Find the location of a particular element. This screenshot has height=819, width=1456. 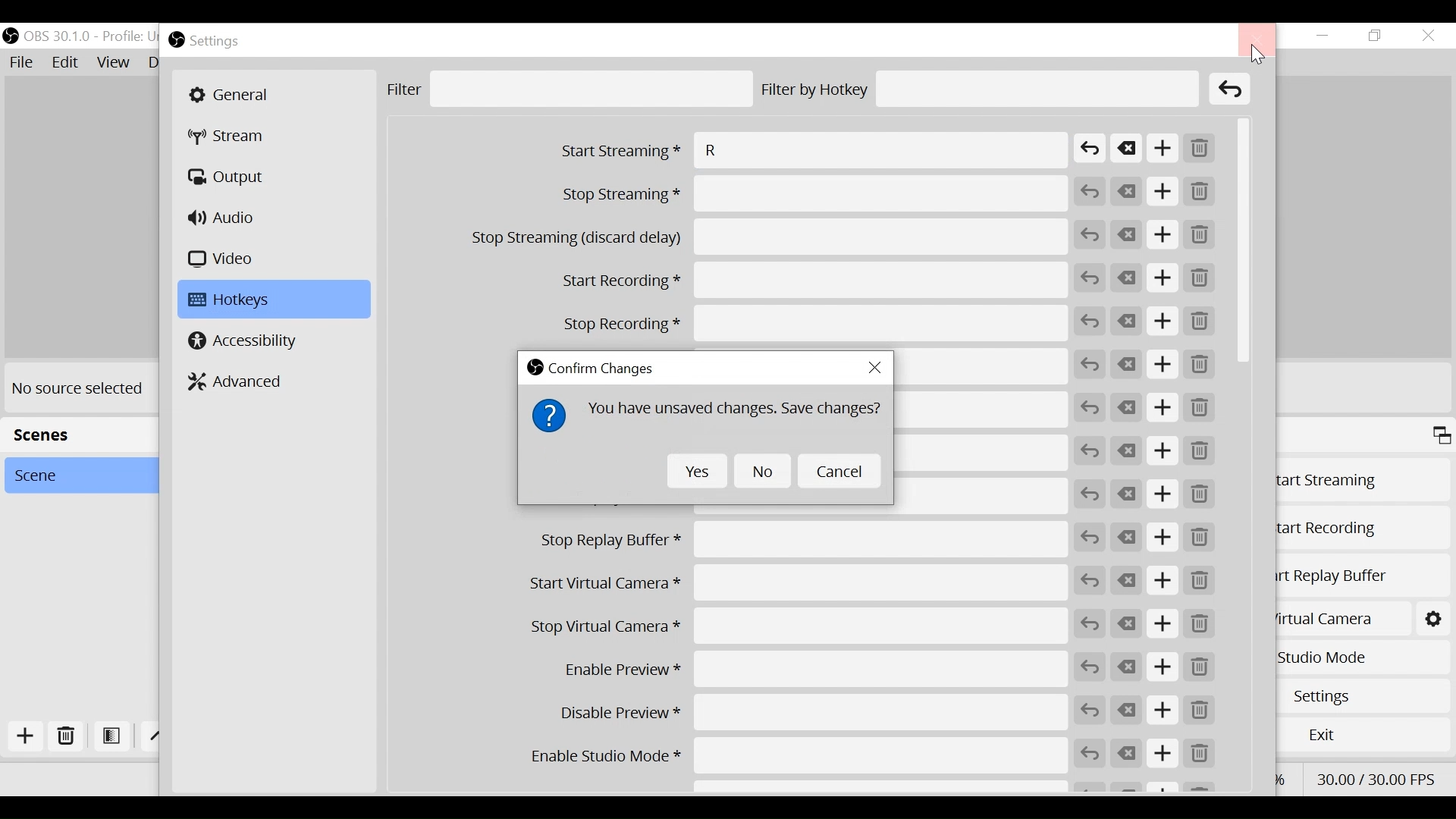

Revert is located at coordinates (1090, 711).